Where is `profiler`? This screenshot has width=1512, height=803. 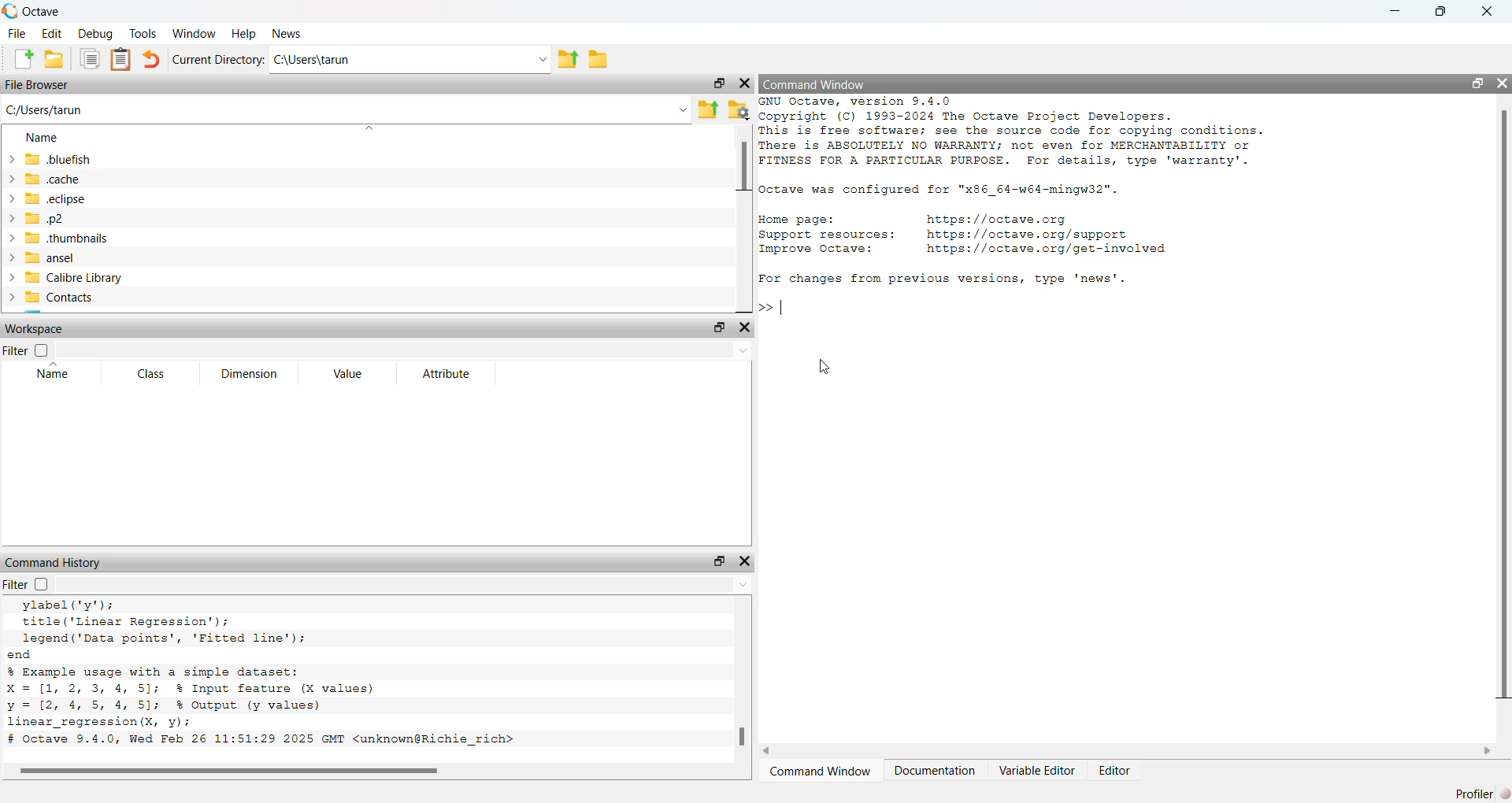 profiler is located at coordinates (1478, 793).